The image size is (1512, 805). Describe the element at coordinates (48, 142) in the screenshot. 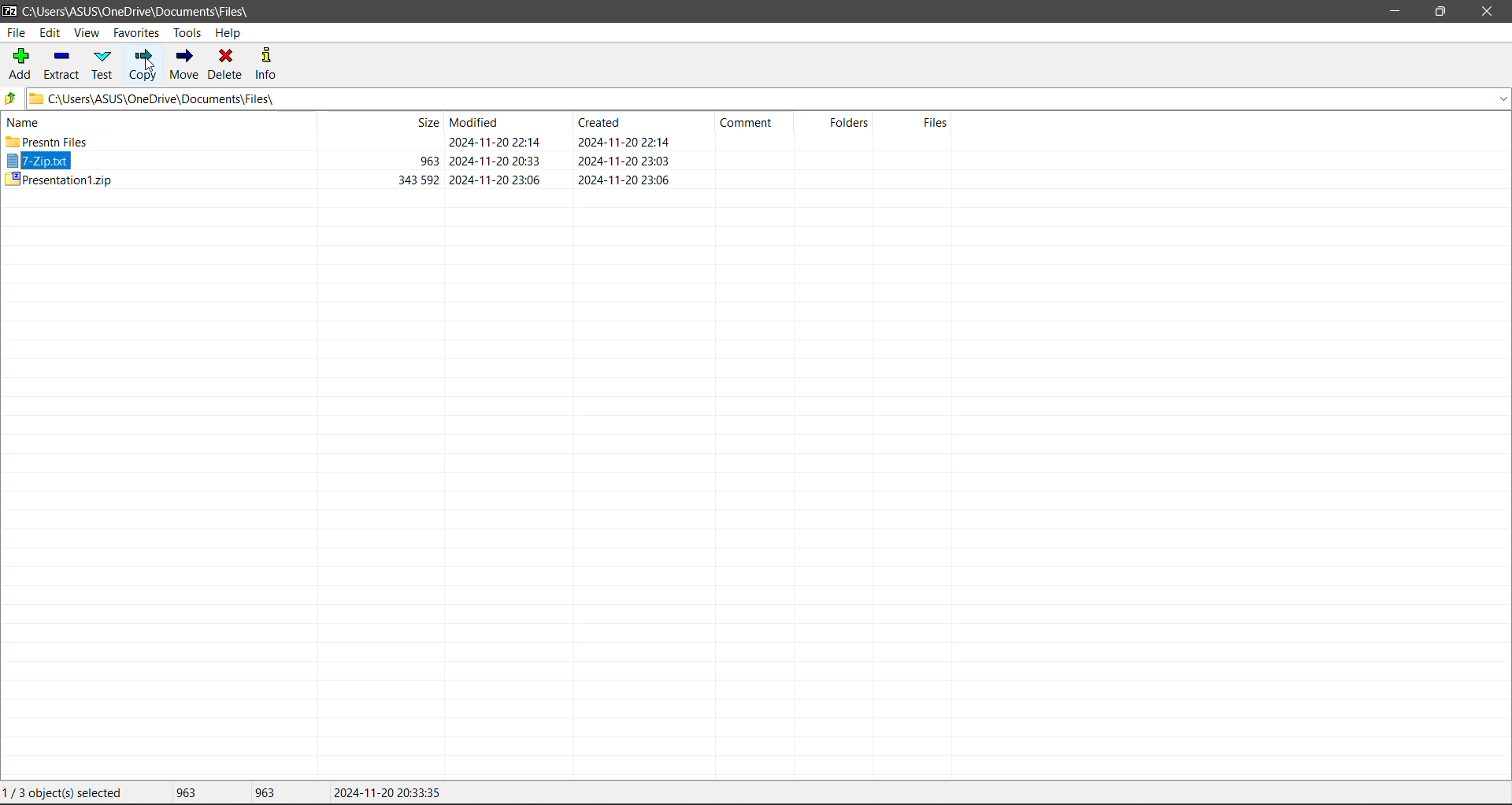

I see `Presntn Files` at that location.